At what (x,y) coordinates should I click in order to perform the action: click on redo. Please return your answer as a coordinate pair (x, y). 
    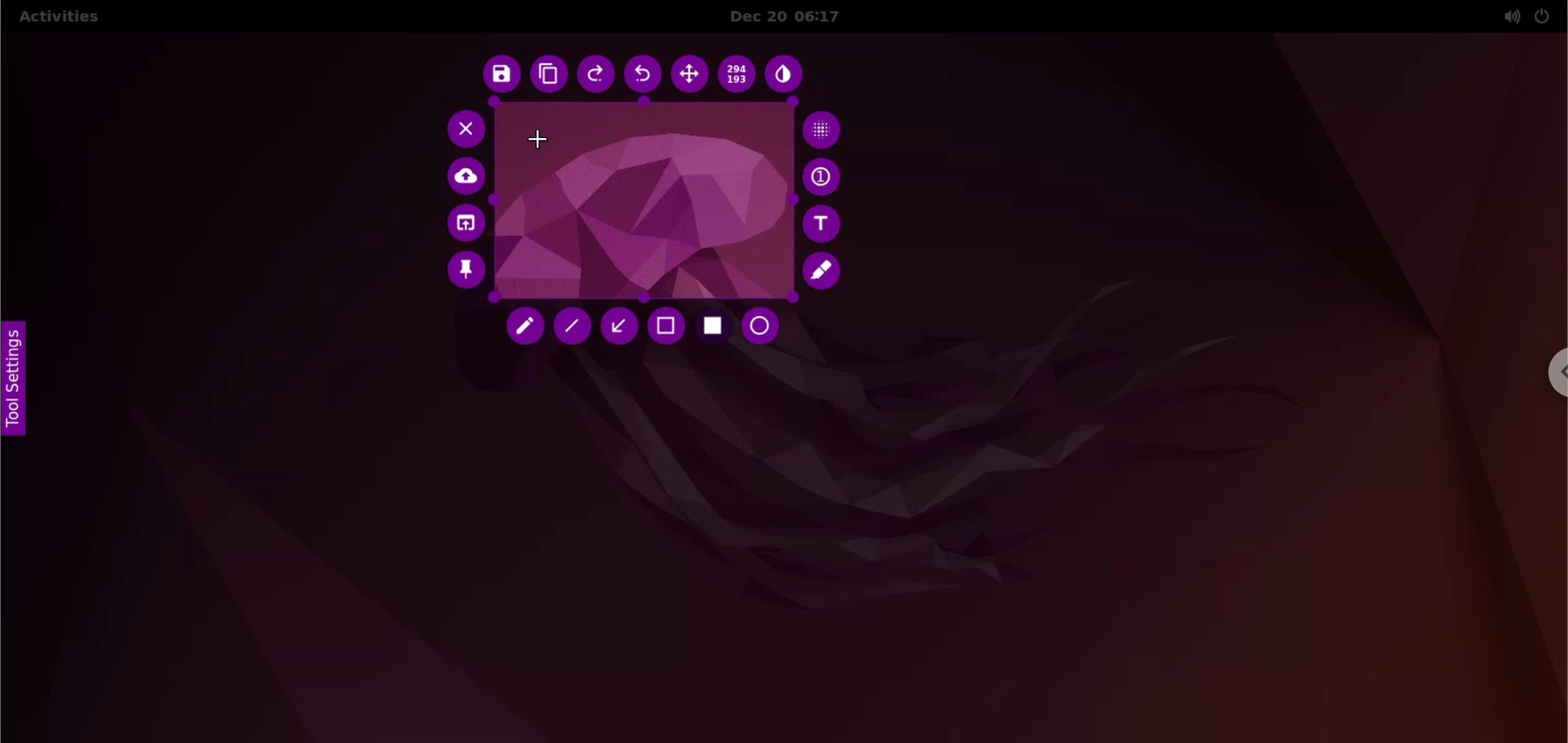
    Looking at the image, I should click on (597, 76).